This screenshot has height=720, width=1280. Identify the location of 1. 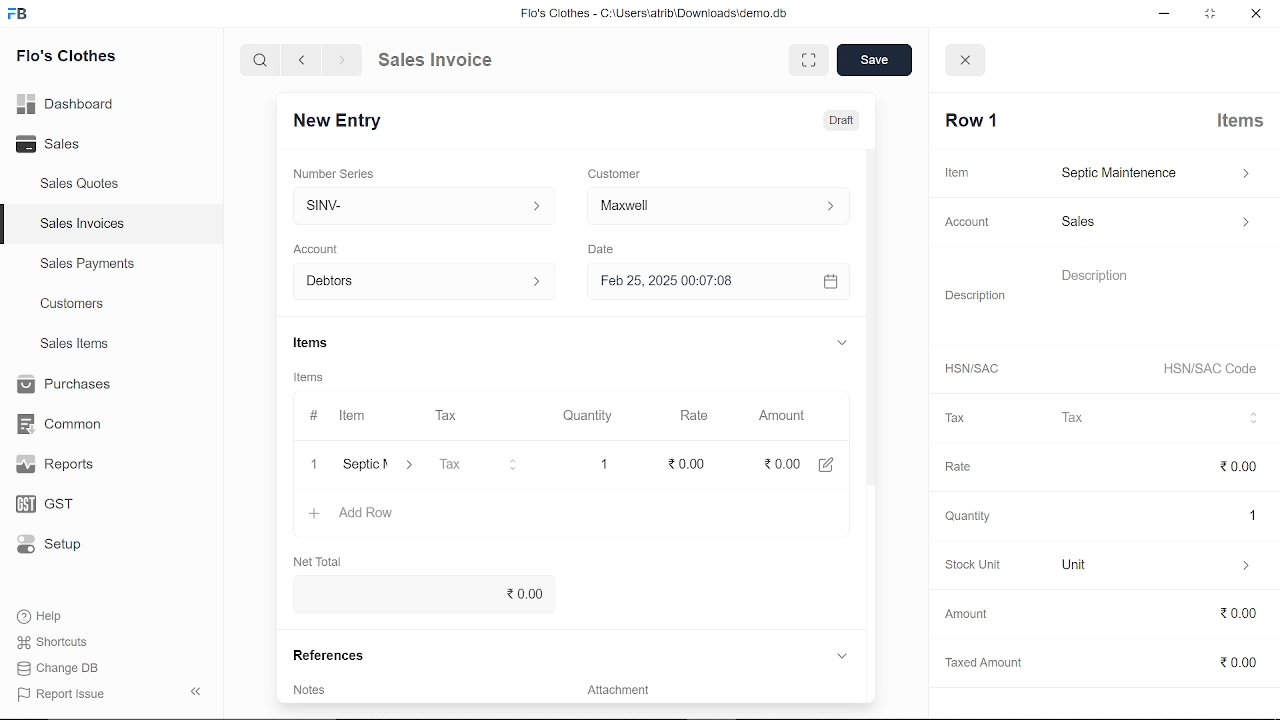
(1243, 515).